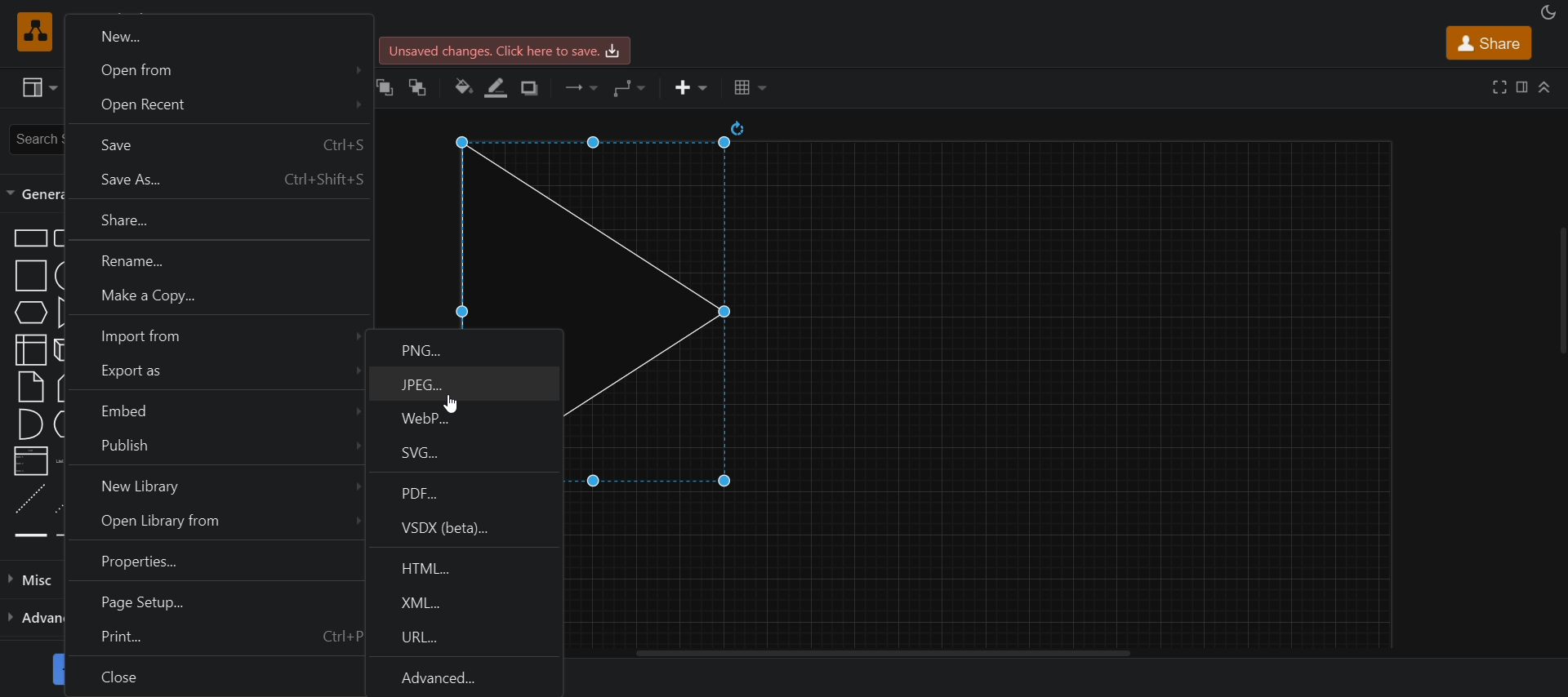  Describe the element at coordinates (216, 107) in the screenshot. I see `open recent` at that location.